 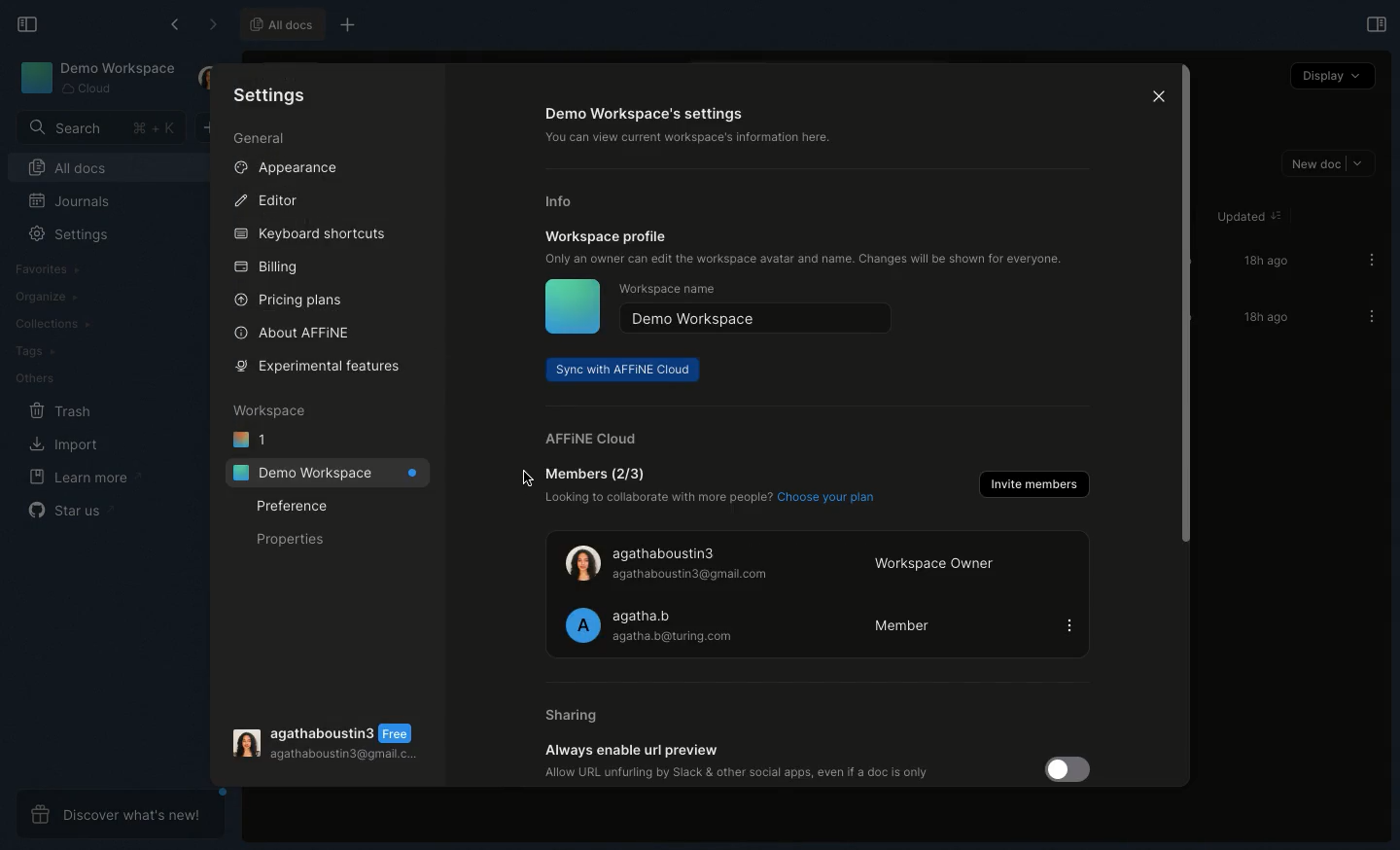 I want to click on Star us, so click(x=70, y=510).